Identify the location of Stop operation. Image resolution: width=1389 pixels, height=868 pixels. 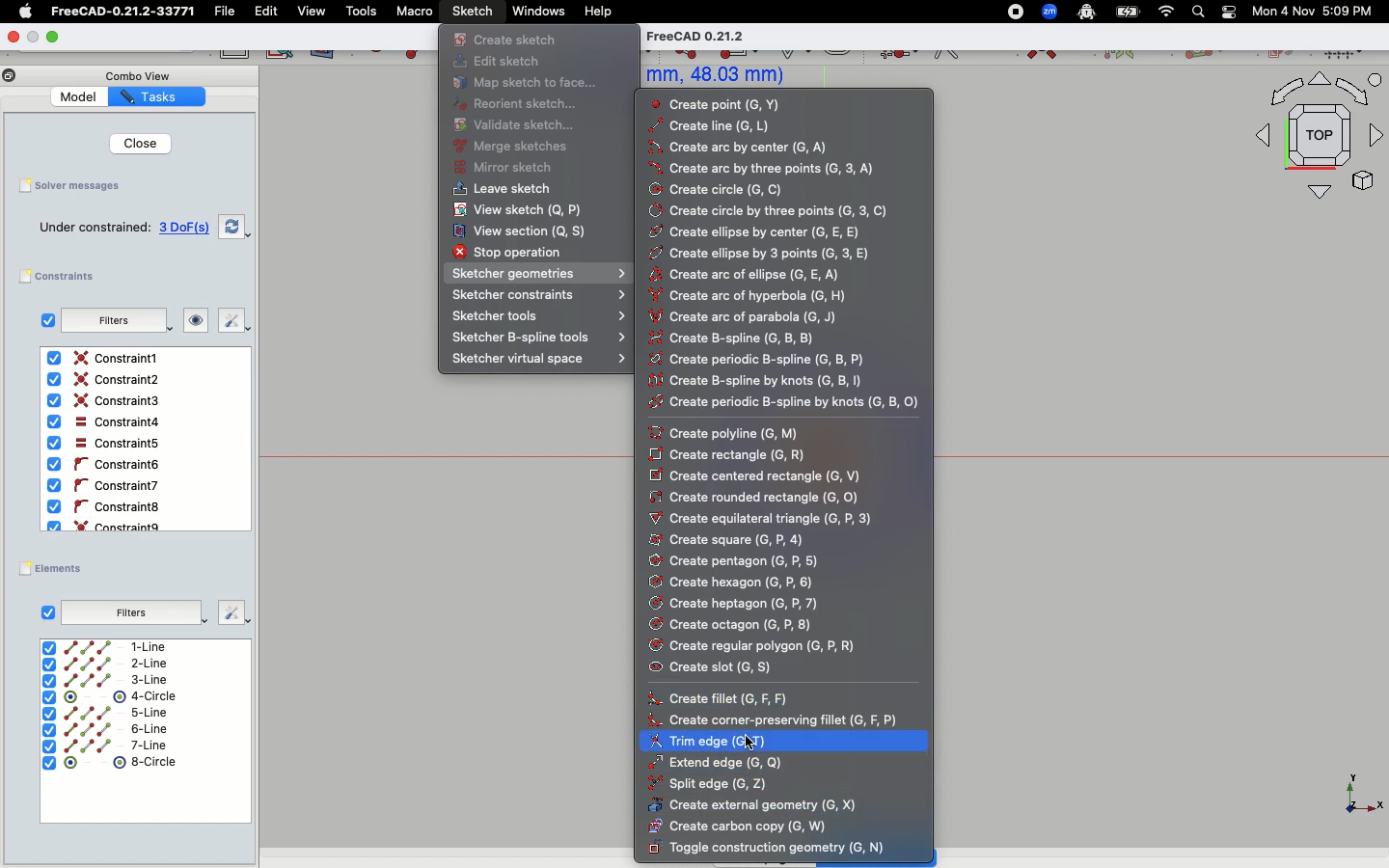
(539, 252).